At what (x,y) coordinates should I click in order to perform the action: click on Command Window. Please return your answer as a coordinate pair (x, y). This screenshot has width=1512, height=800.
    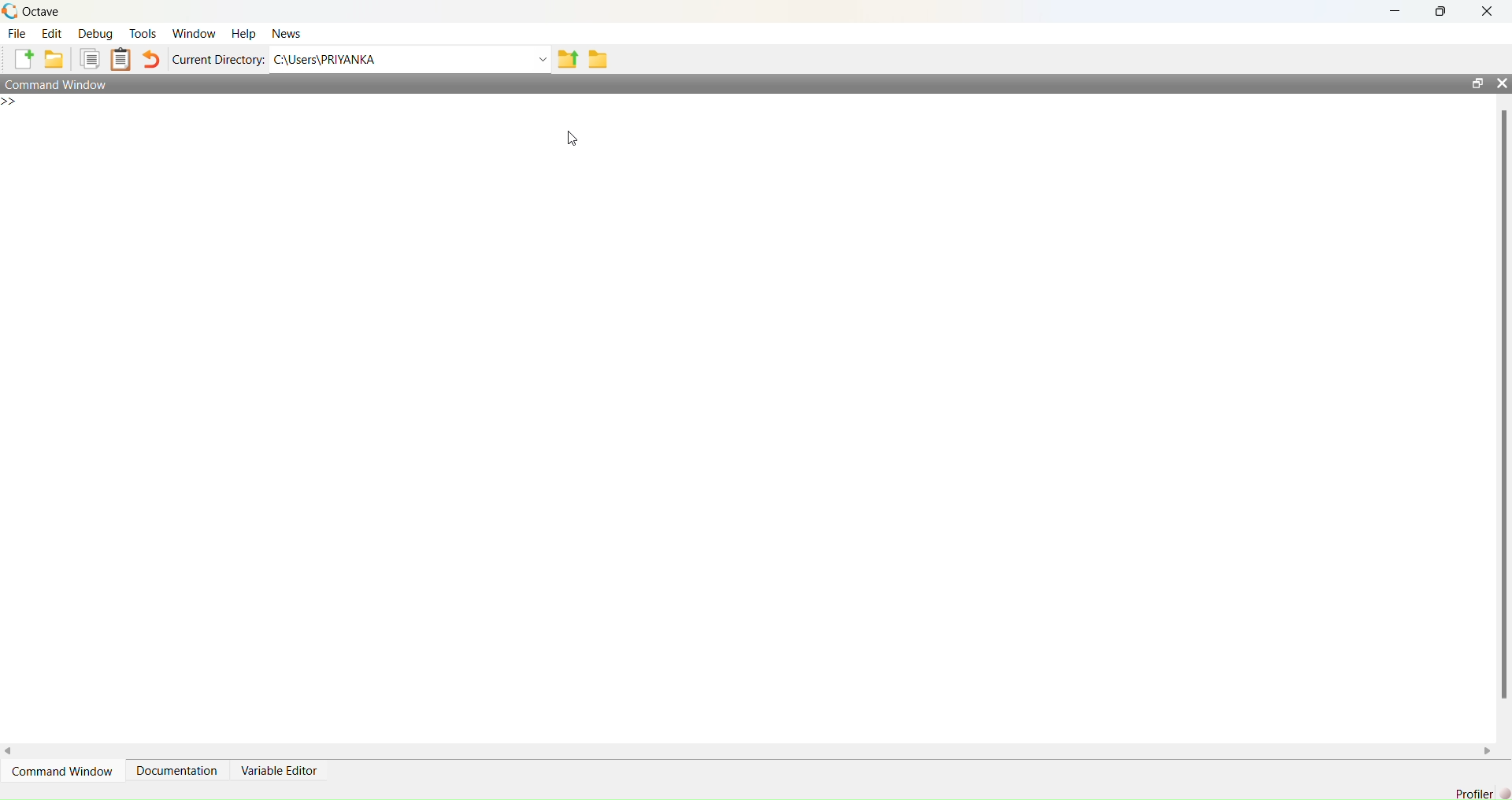
    Looking at the image, I should click on (57, 83).